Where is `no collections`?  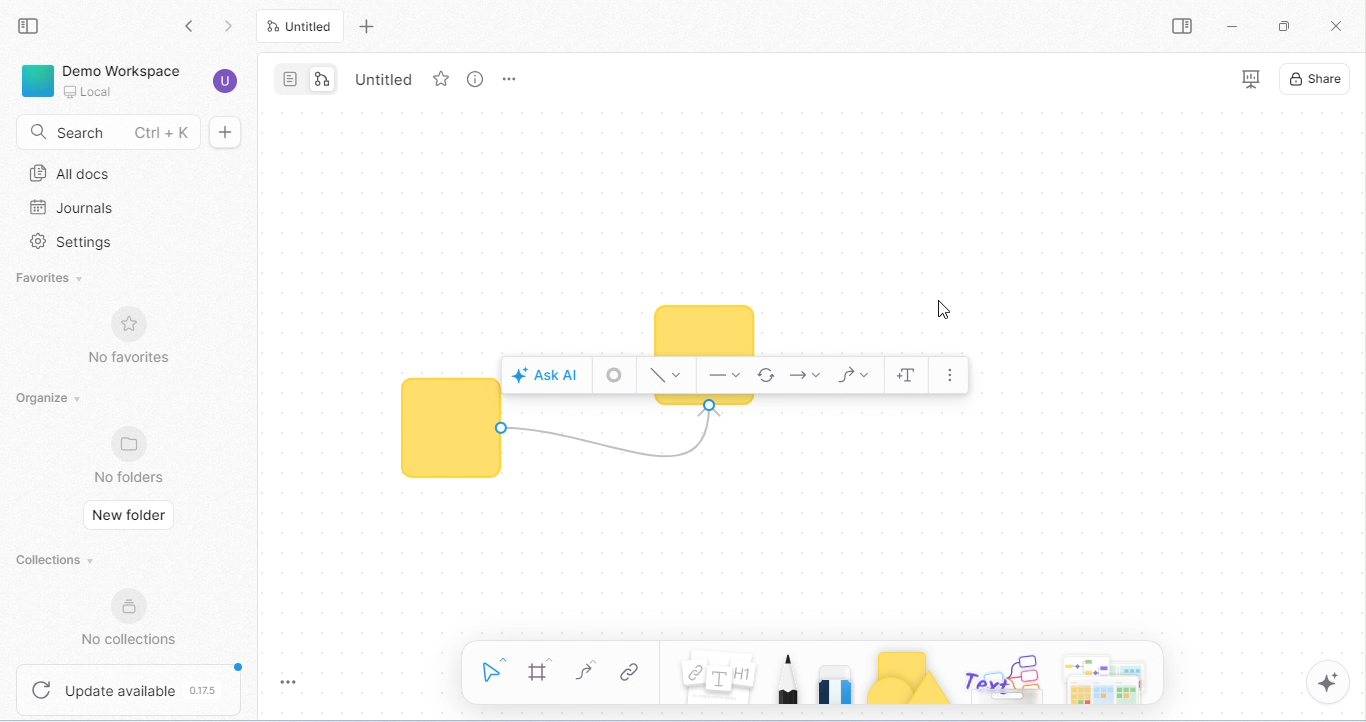
no collections is located at coordinates (137, 620).